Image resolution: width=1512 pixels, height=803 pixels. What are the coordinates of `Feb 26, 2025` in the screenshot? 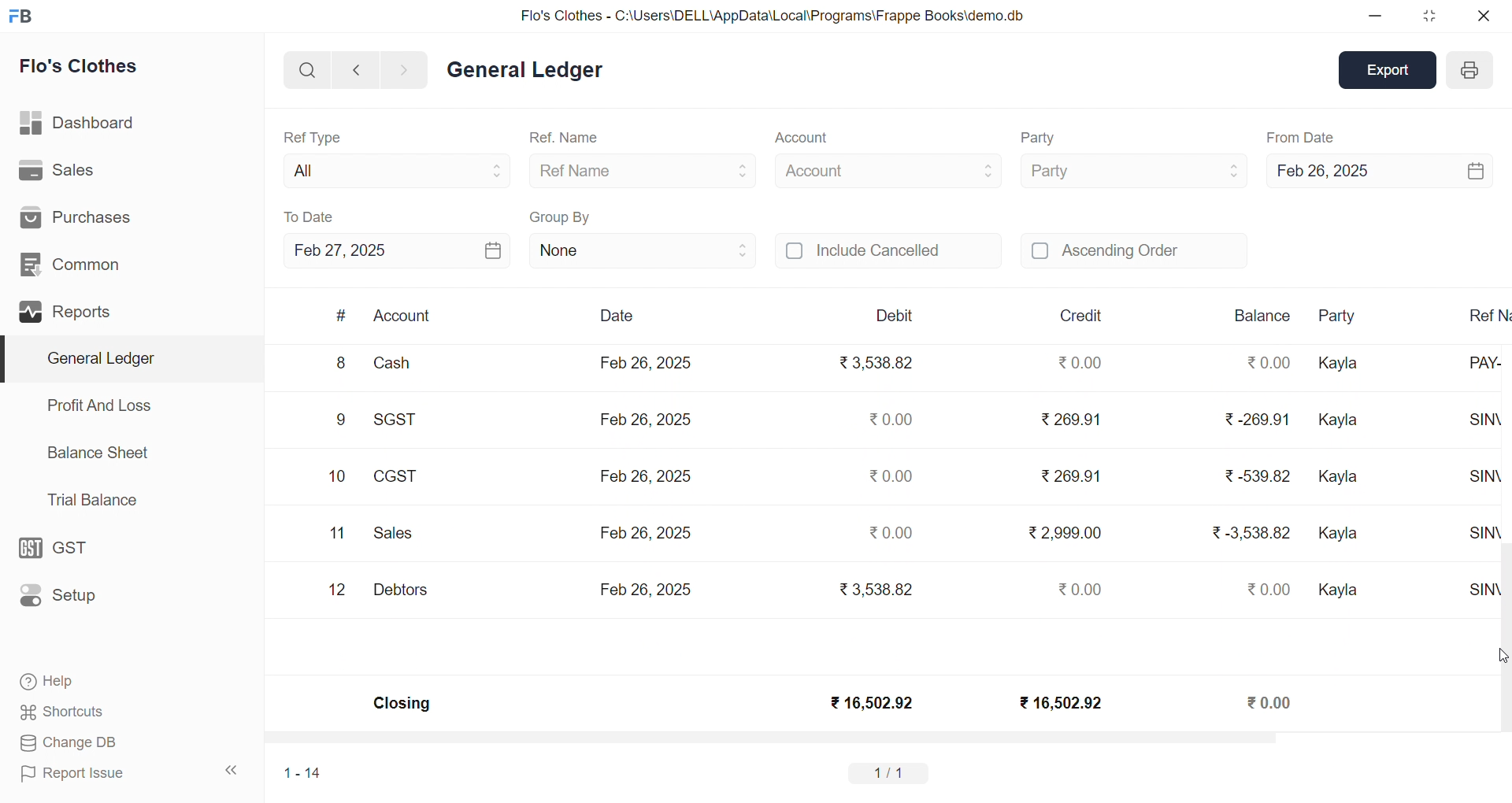 It's located at (646, 588).